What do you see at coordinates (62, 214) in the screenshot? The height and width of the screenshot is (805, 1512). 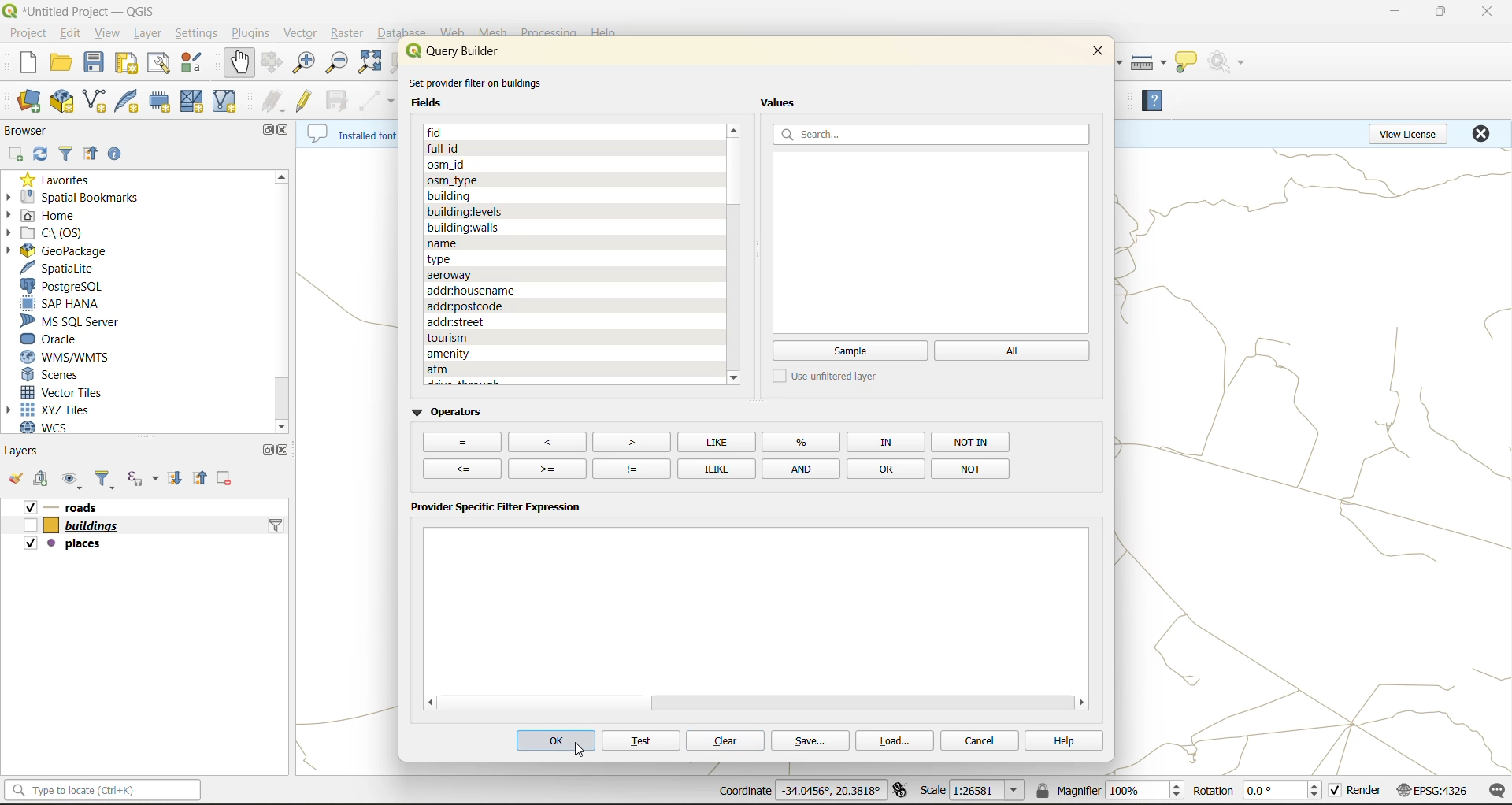 I see `home` at bounding box center [62, 214].